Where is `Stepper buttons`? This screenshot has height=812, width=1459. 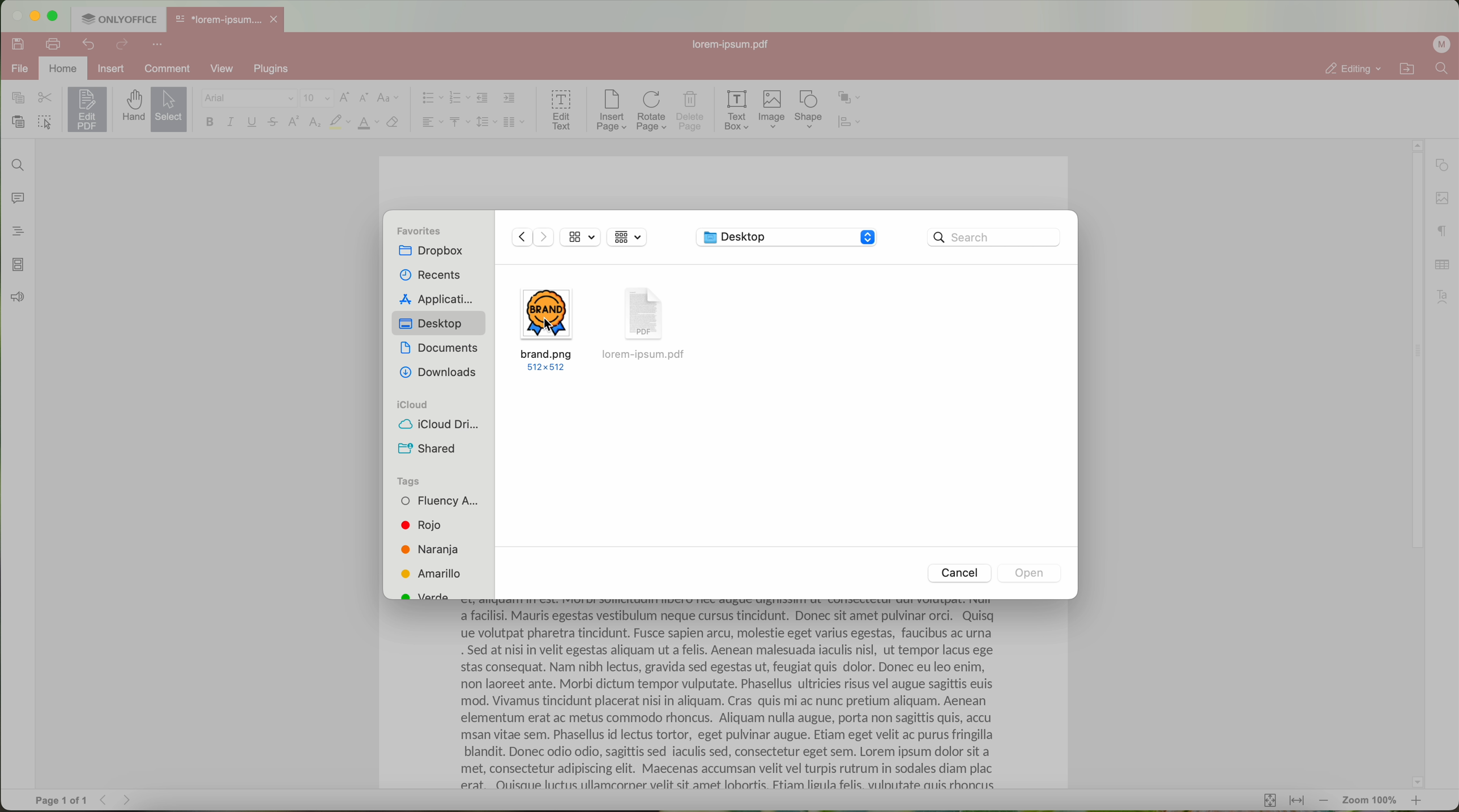 Stepper buttons is located at coordinates (869, 237).